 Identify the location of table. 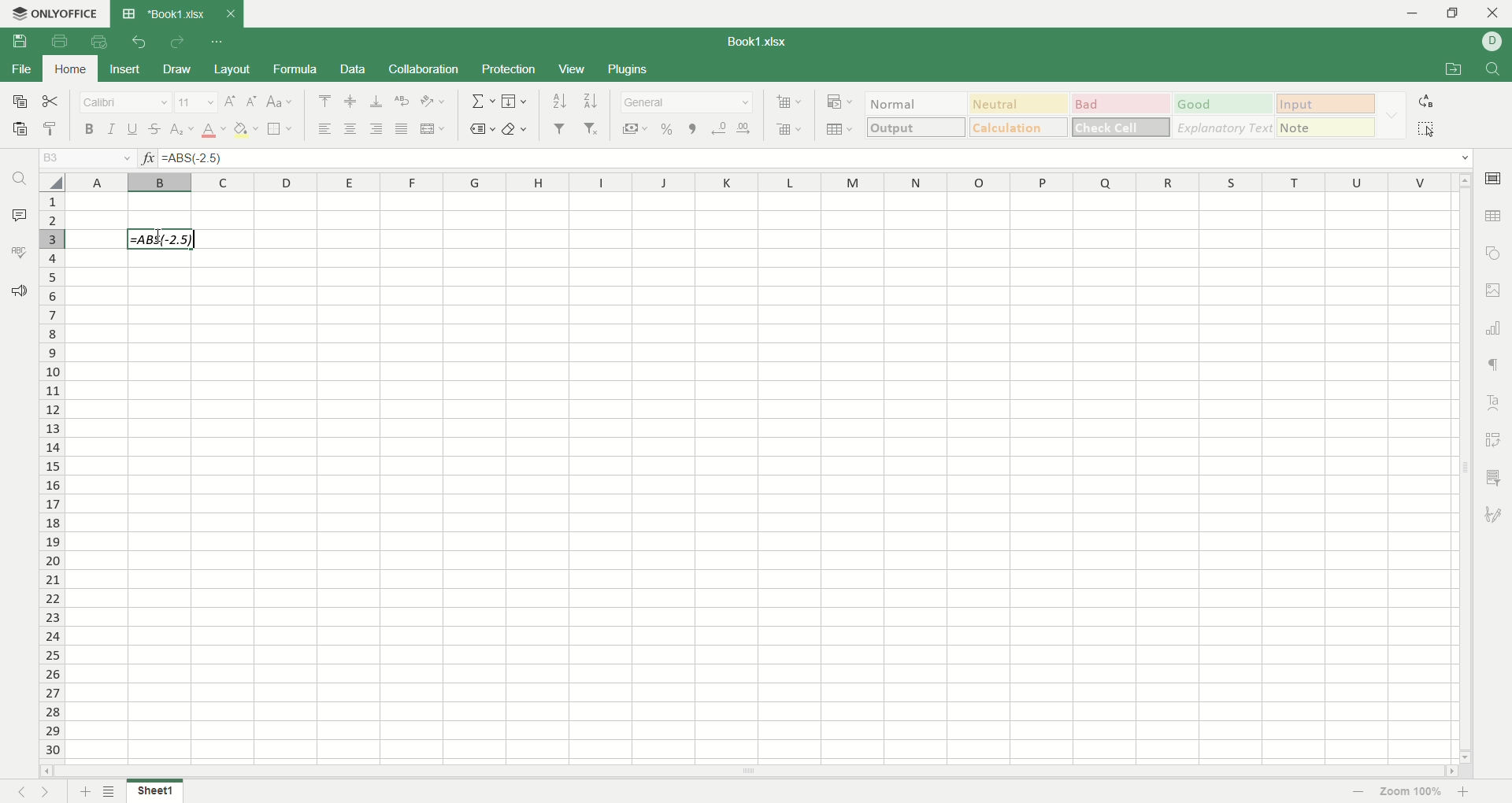
(840, 131).